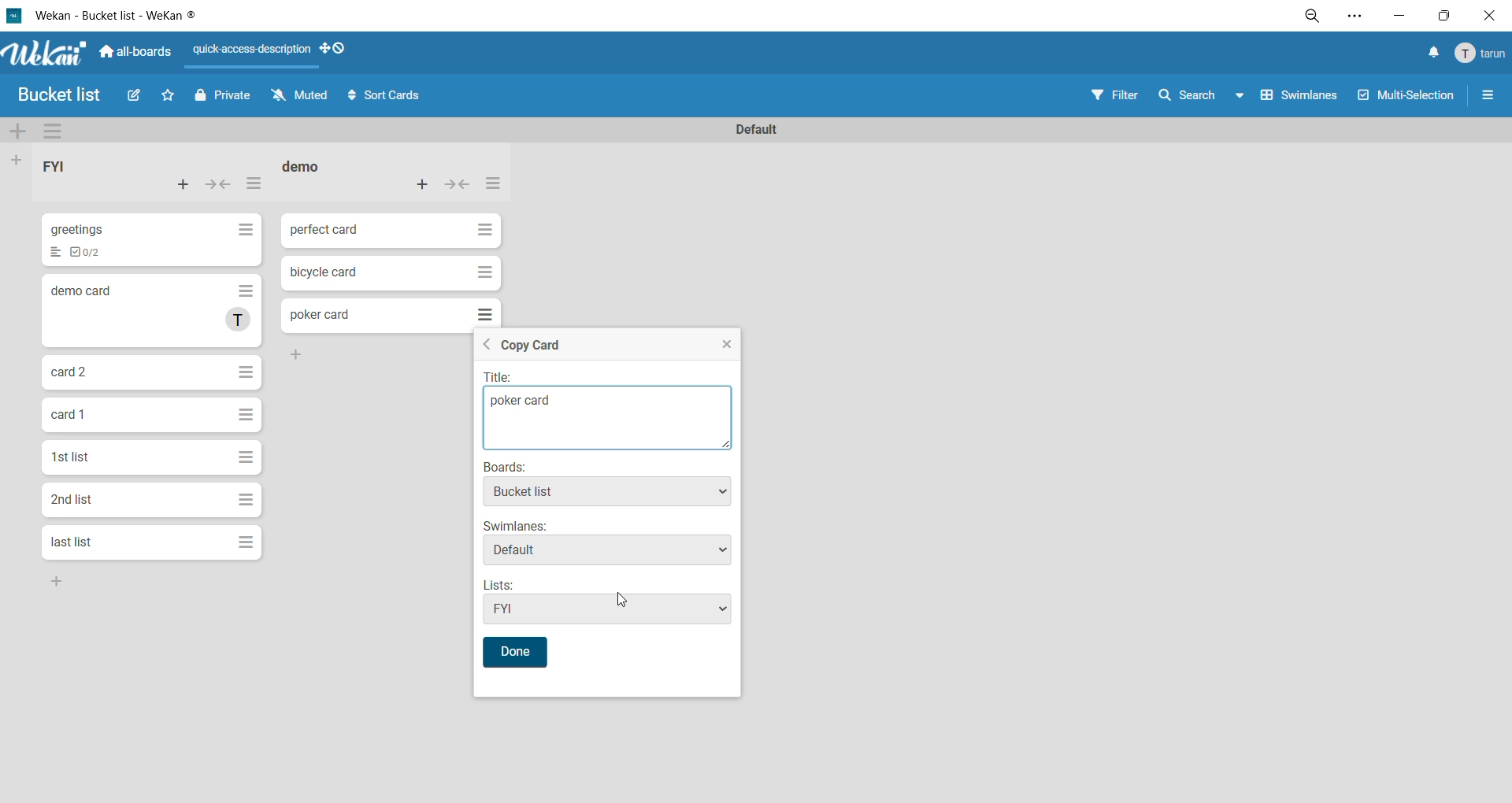 Image resolution: width=1512 pixels, height=803 pixels. I want to click on quick access description, so click(254, 55).